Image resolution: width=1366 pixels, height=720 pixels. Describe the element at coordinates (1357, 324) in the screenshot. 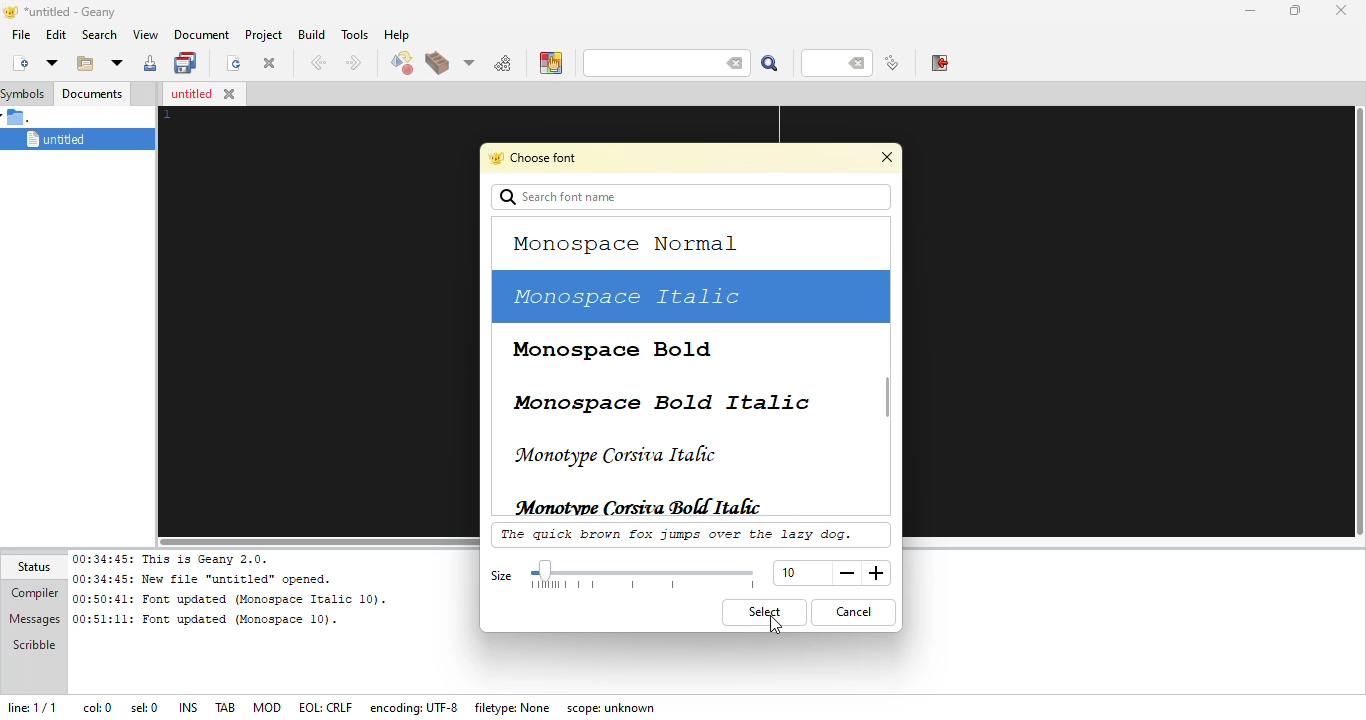

I see `vertical slide bar` at that location.